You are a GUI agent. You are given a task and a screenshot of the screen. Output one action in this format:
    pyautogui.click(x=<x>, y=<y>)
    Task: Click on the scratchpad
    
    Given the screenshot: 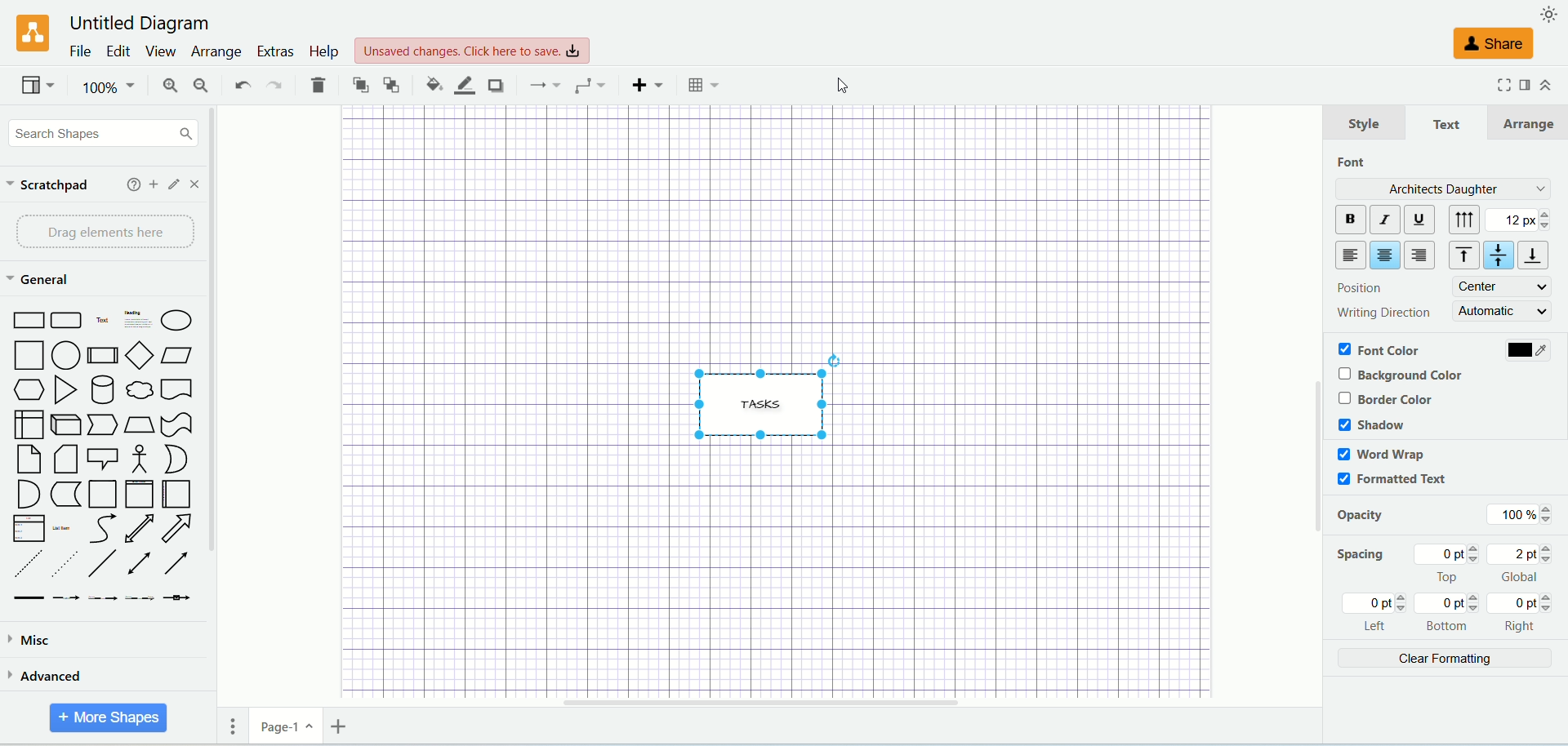 What is the action you would take?
    pyautogui.click(x=50, y=186)
    